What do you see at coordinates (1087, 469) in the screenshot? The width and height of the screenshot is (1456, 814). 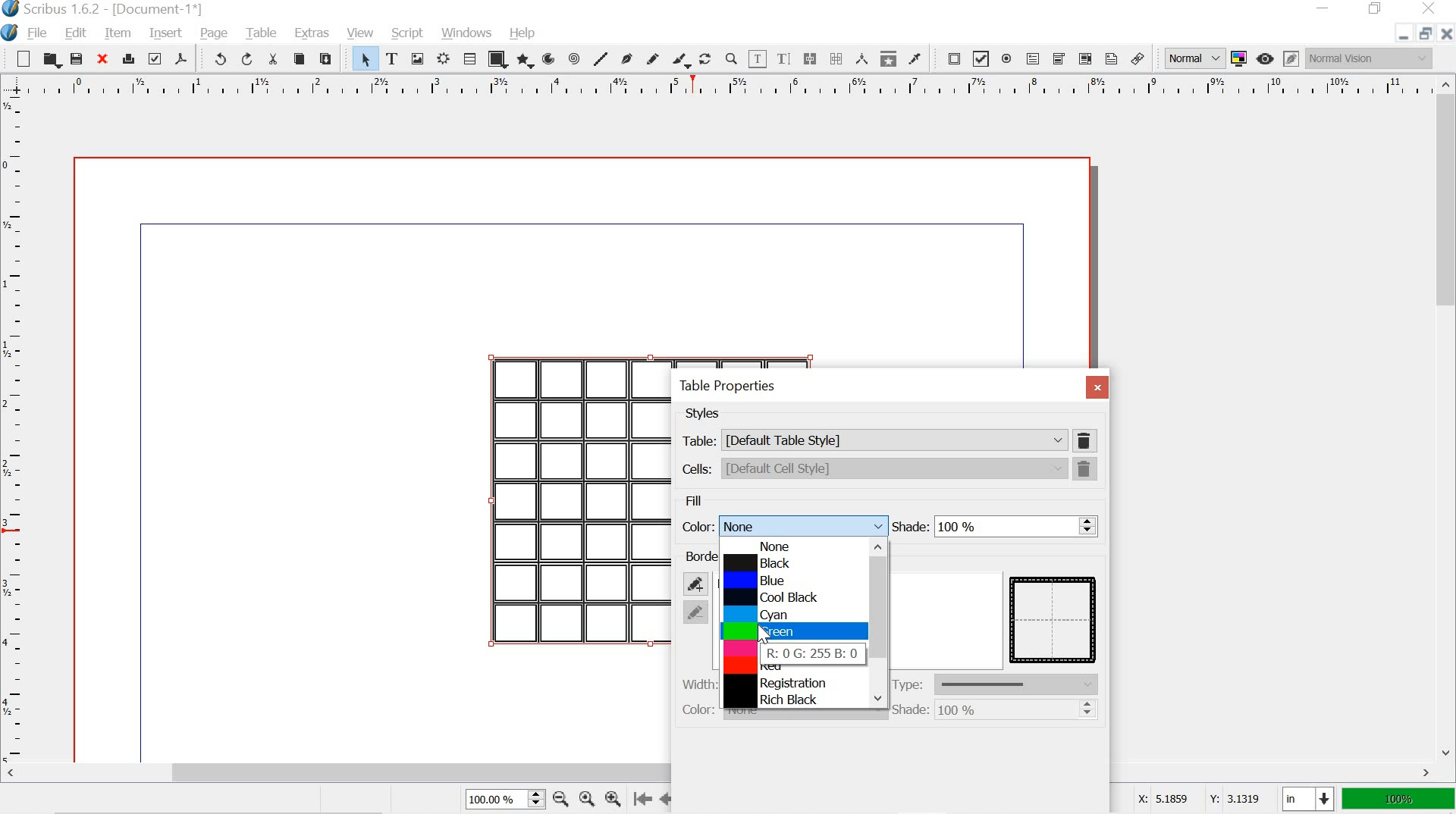 I see `delete` at bounding box center [1087, 469].